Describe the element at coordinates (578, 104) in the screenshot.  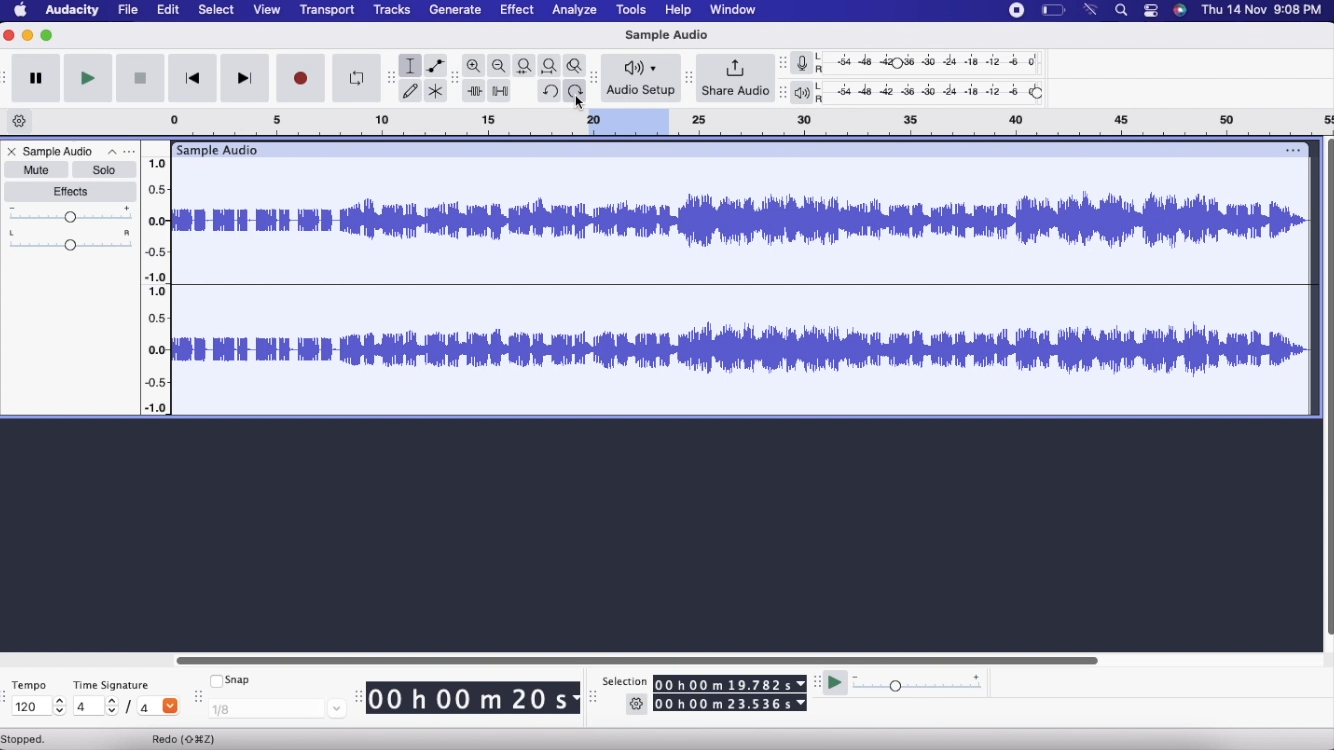
I see `cursor` at that location.